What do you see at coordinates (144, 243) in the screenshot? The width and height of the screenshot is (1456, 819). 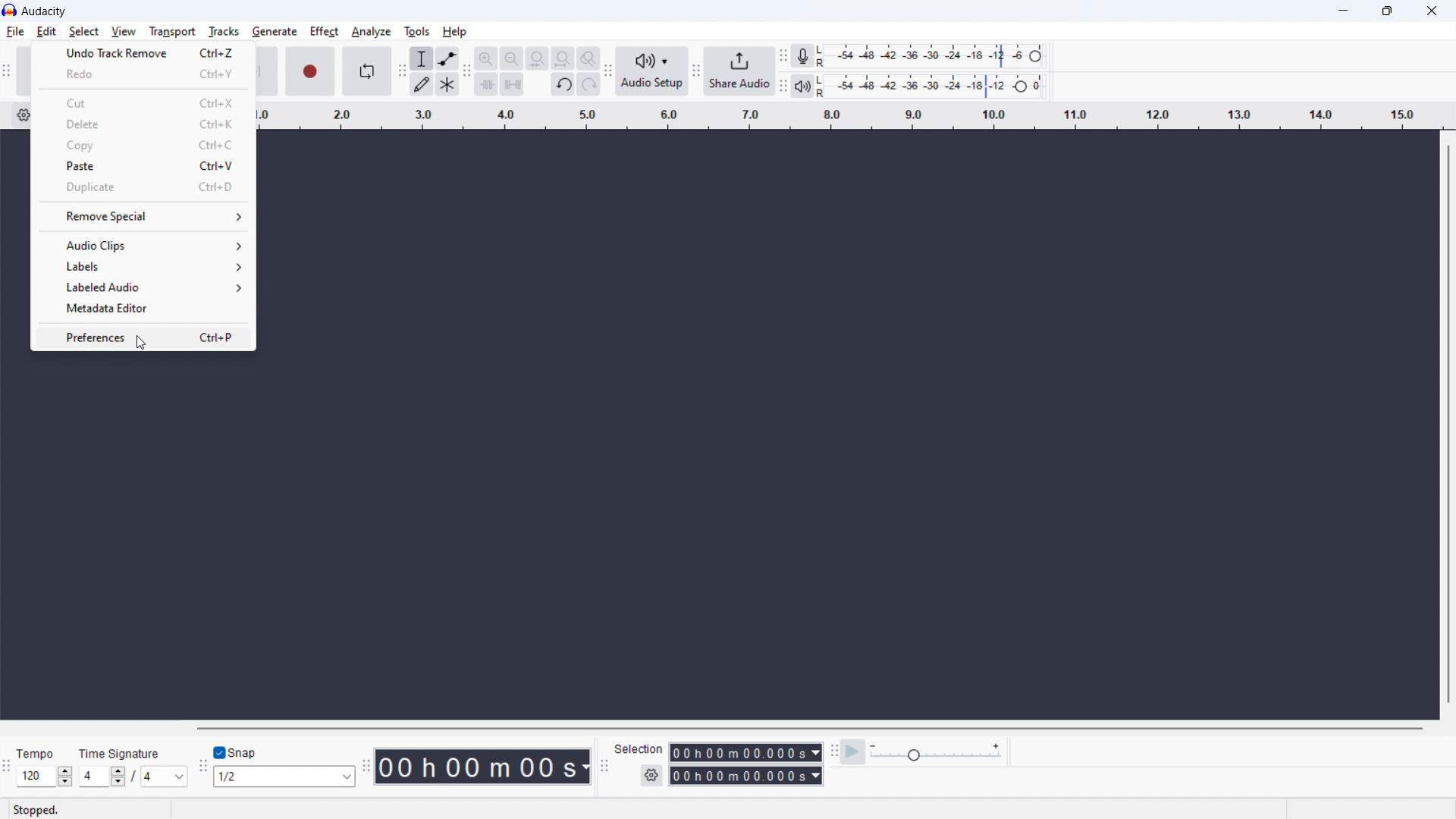 I see `audio clips` at bounding box center [144, 243].